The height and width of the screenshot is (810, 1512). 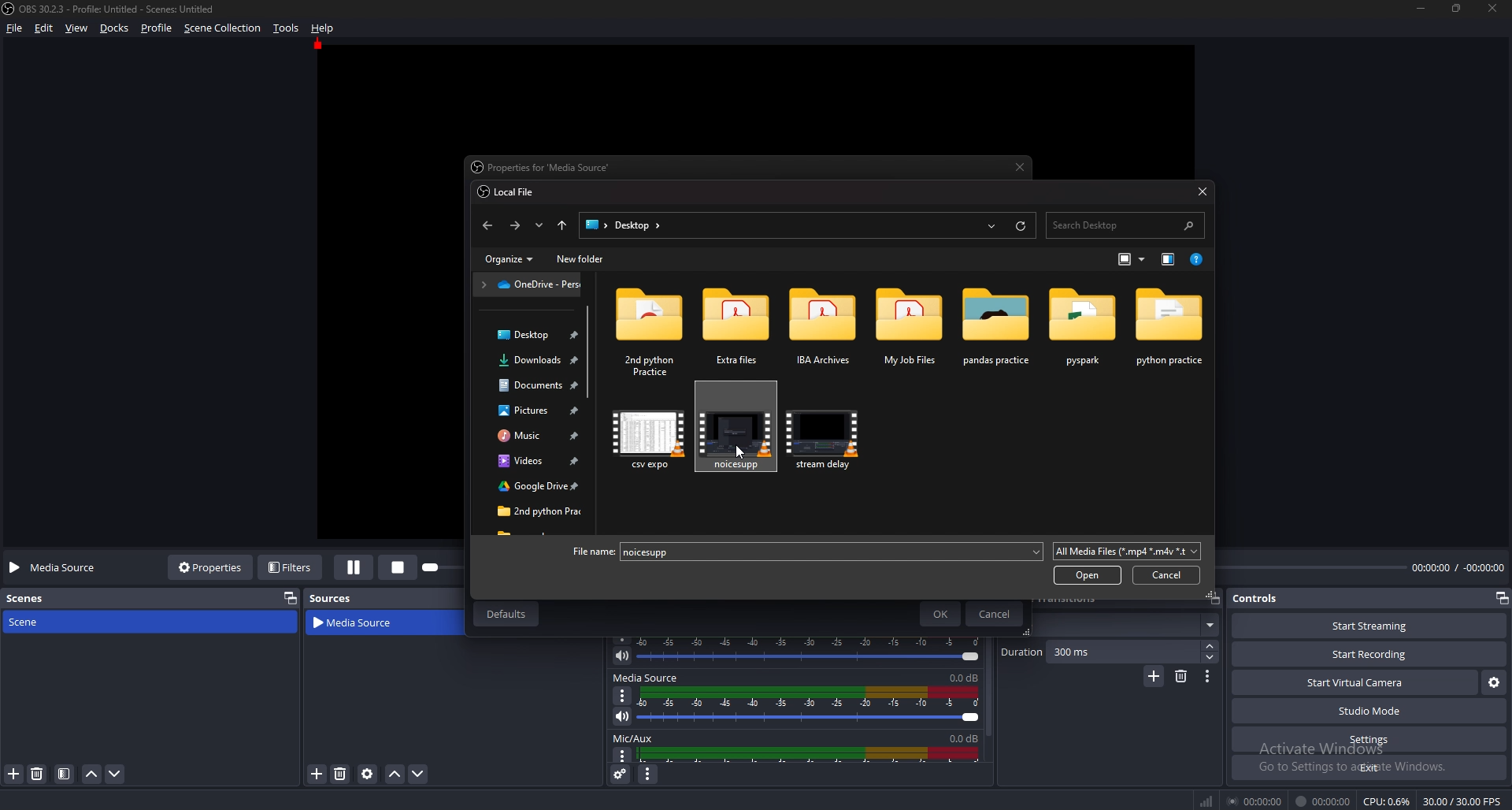 What do you see at coordinates (1370, 767) in the screenshot?
I see ` Exit` at bounding box center [1370, 767].